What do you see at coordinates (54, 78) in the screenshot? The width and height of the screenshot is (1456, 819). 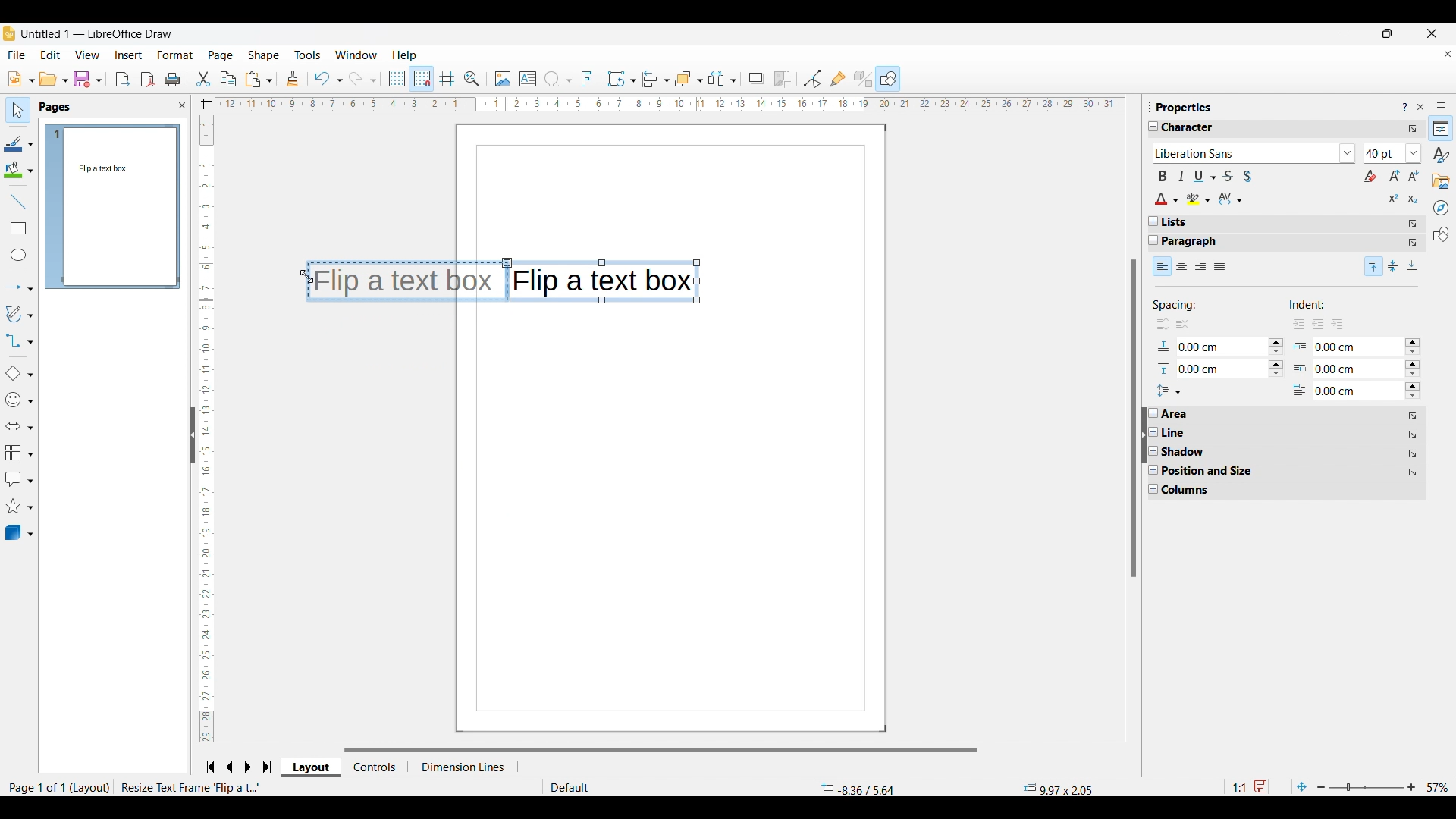 I see `Open document options` at bounding box center [54, 78].